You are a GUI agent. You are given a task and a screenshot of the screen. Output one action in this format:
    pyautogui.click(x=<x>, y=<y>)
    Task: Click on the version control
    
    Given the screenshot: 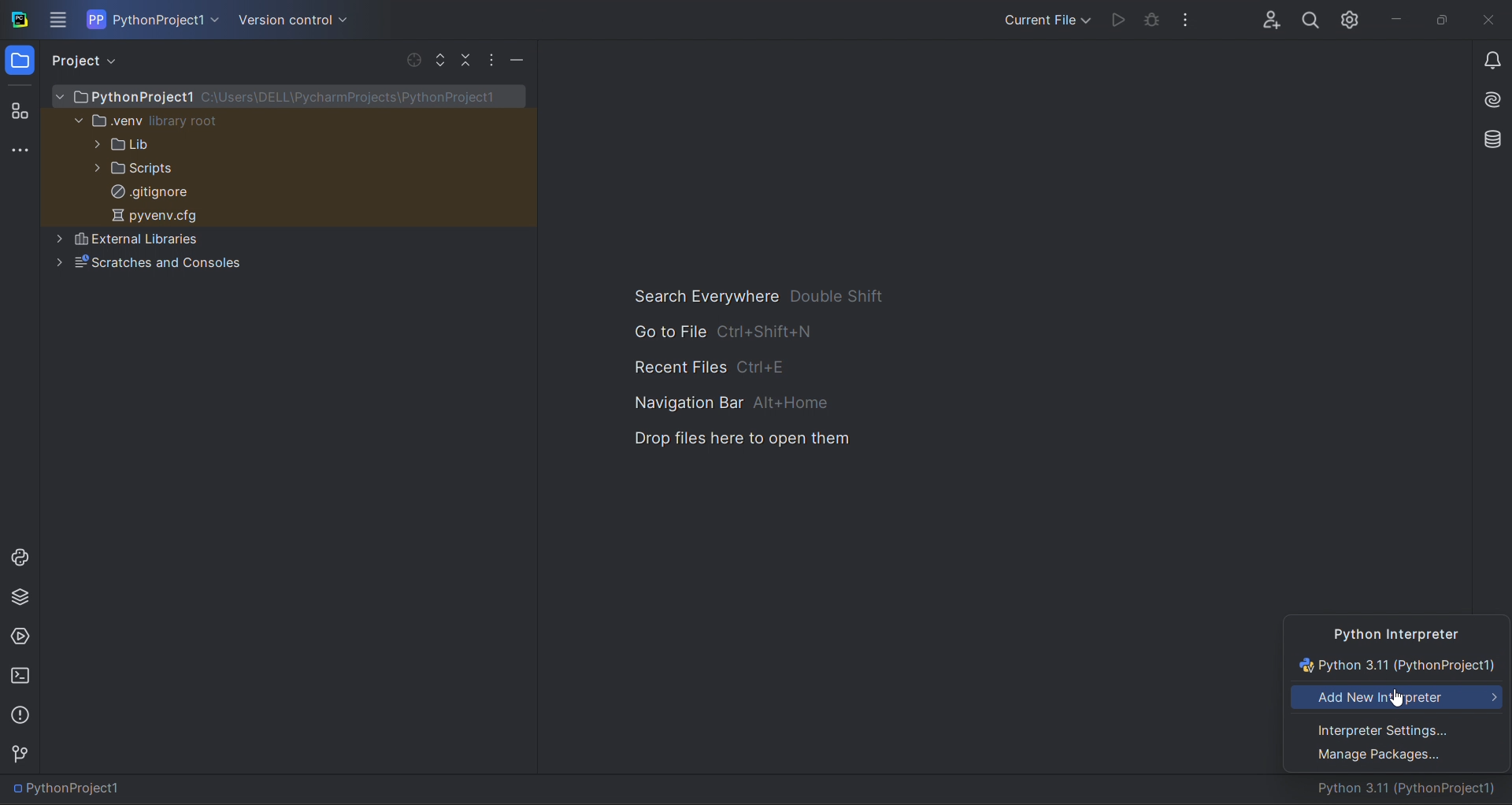 What is the action you would take?
    pyautogui.click(x=22, y=754)
    